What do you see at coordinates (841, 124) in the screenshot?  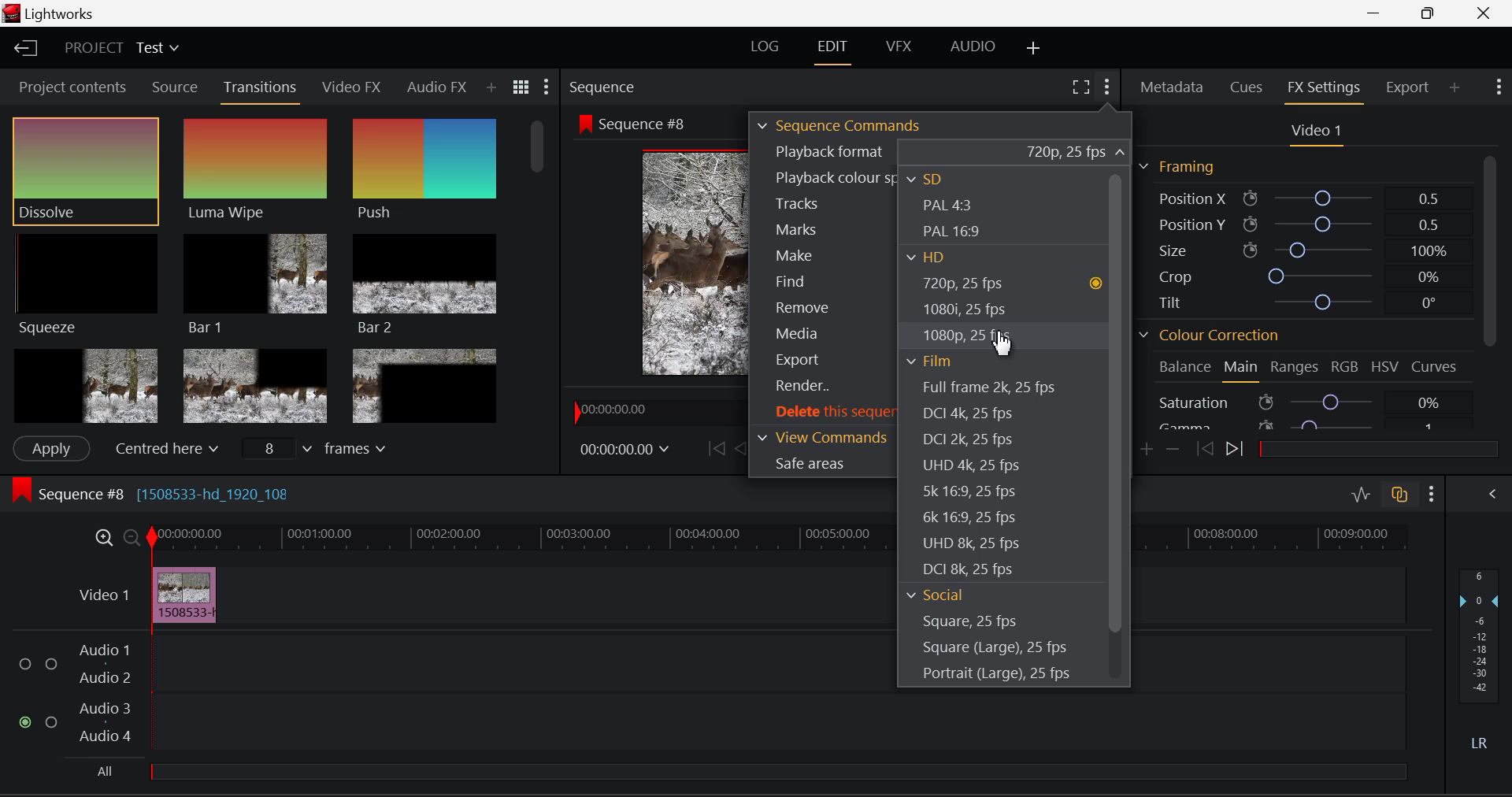 I see `Sequence Commands` at bounding box center [841, 124].